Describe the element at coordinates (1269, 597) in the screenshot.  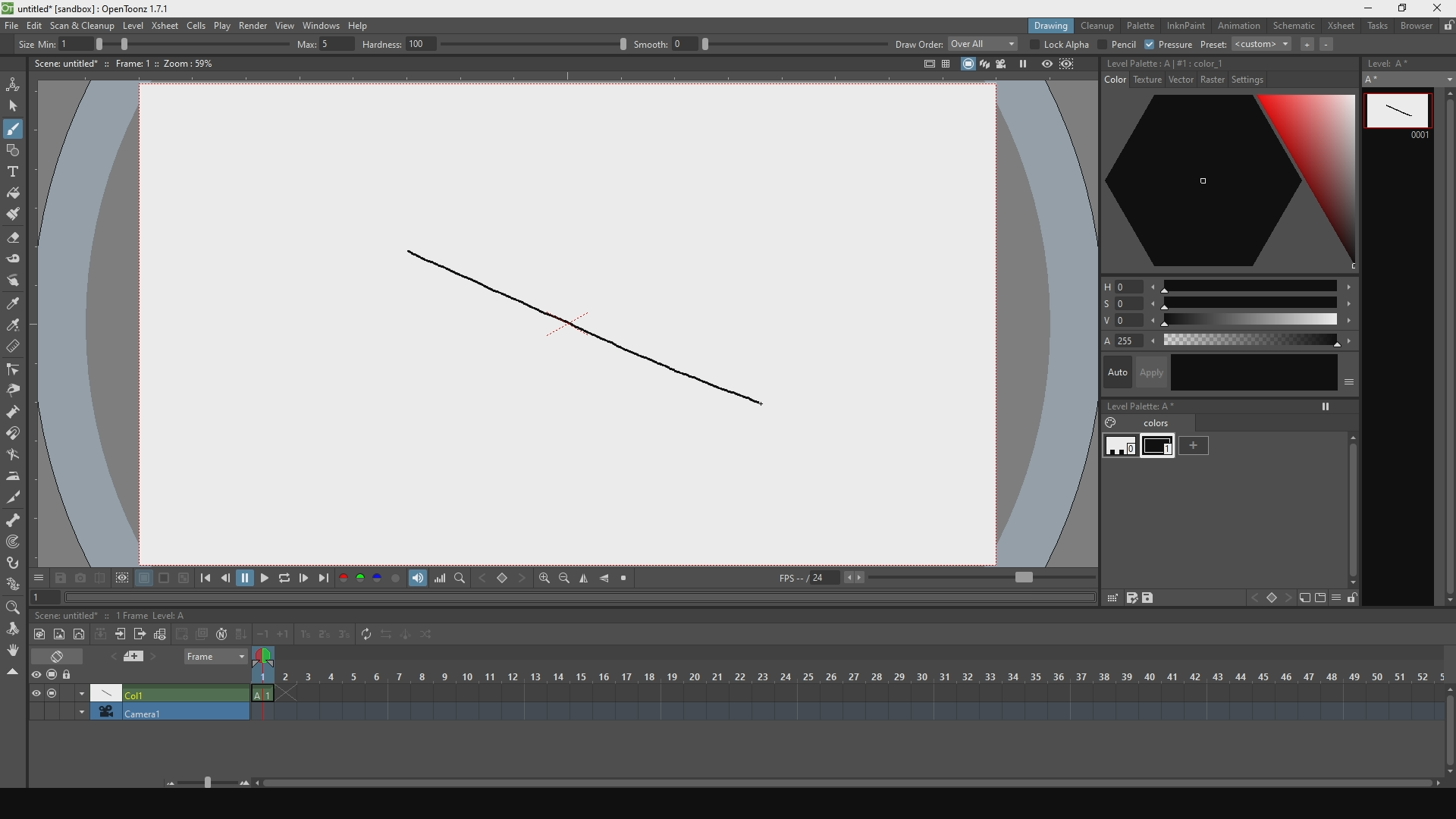
I see `icon` at that location.